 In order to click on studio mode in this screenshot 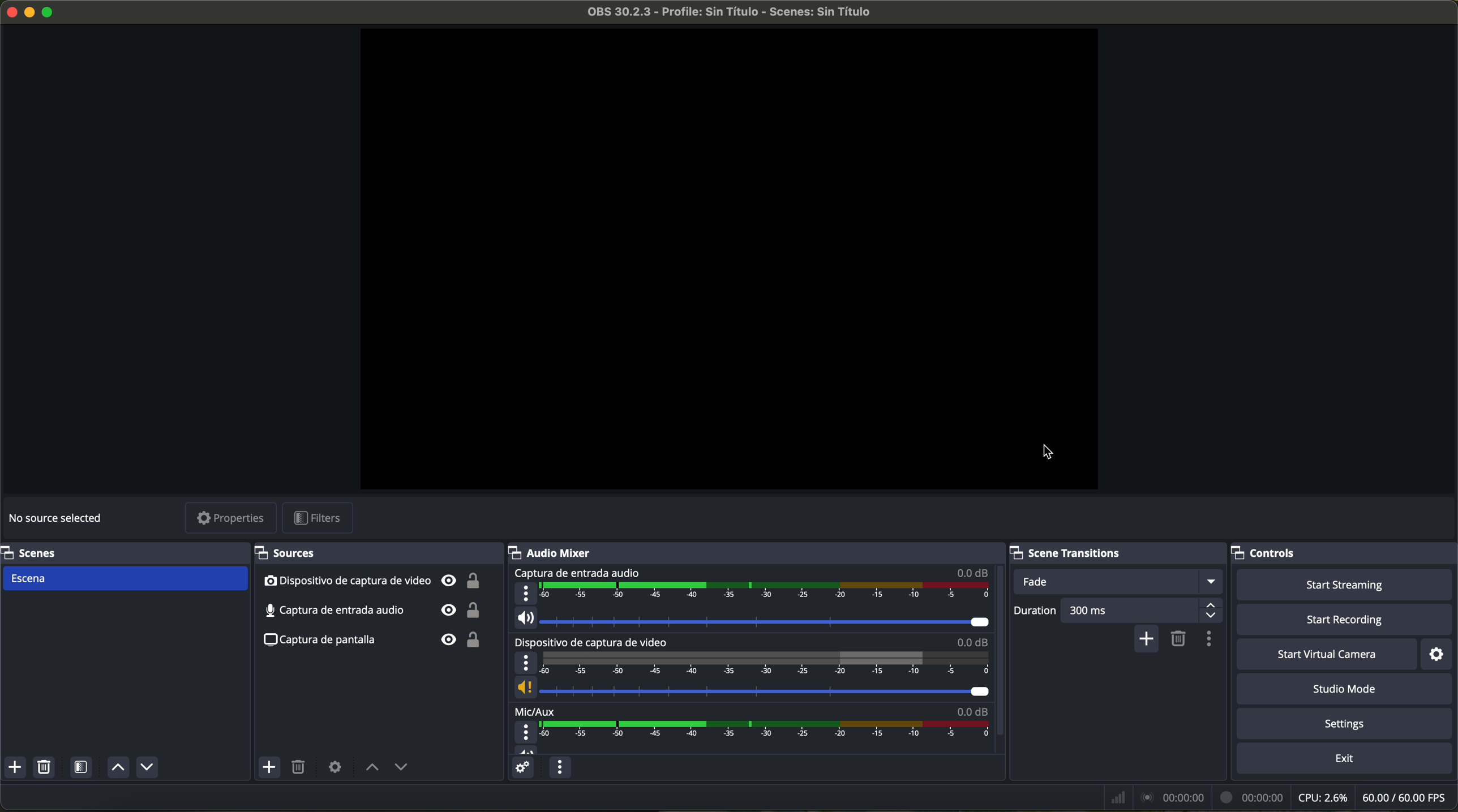, I will do `click(1349, 690)`.